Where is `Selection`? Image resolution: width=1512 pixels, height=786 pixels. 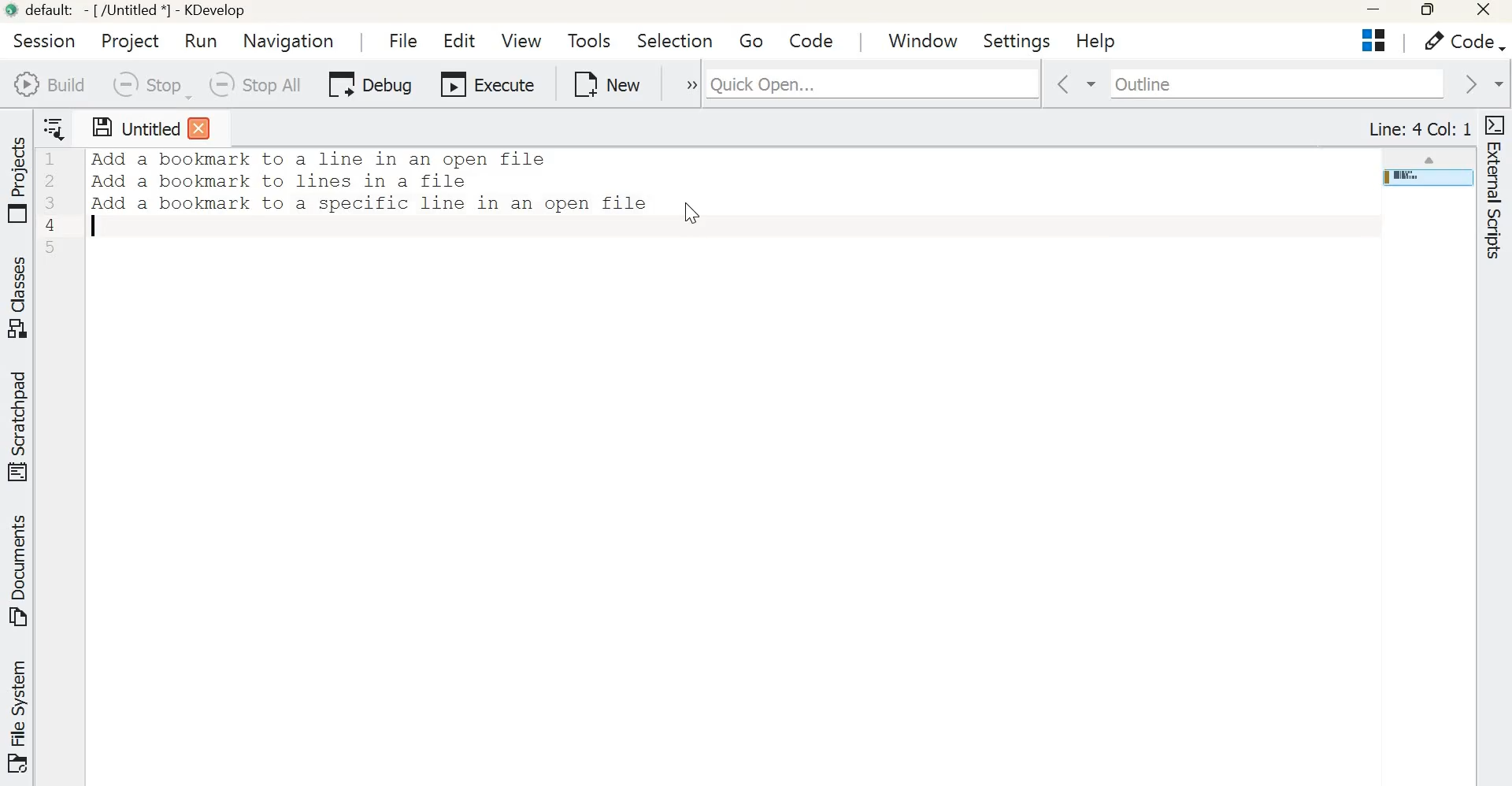
Selection is located at coordinates (675, 39).